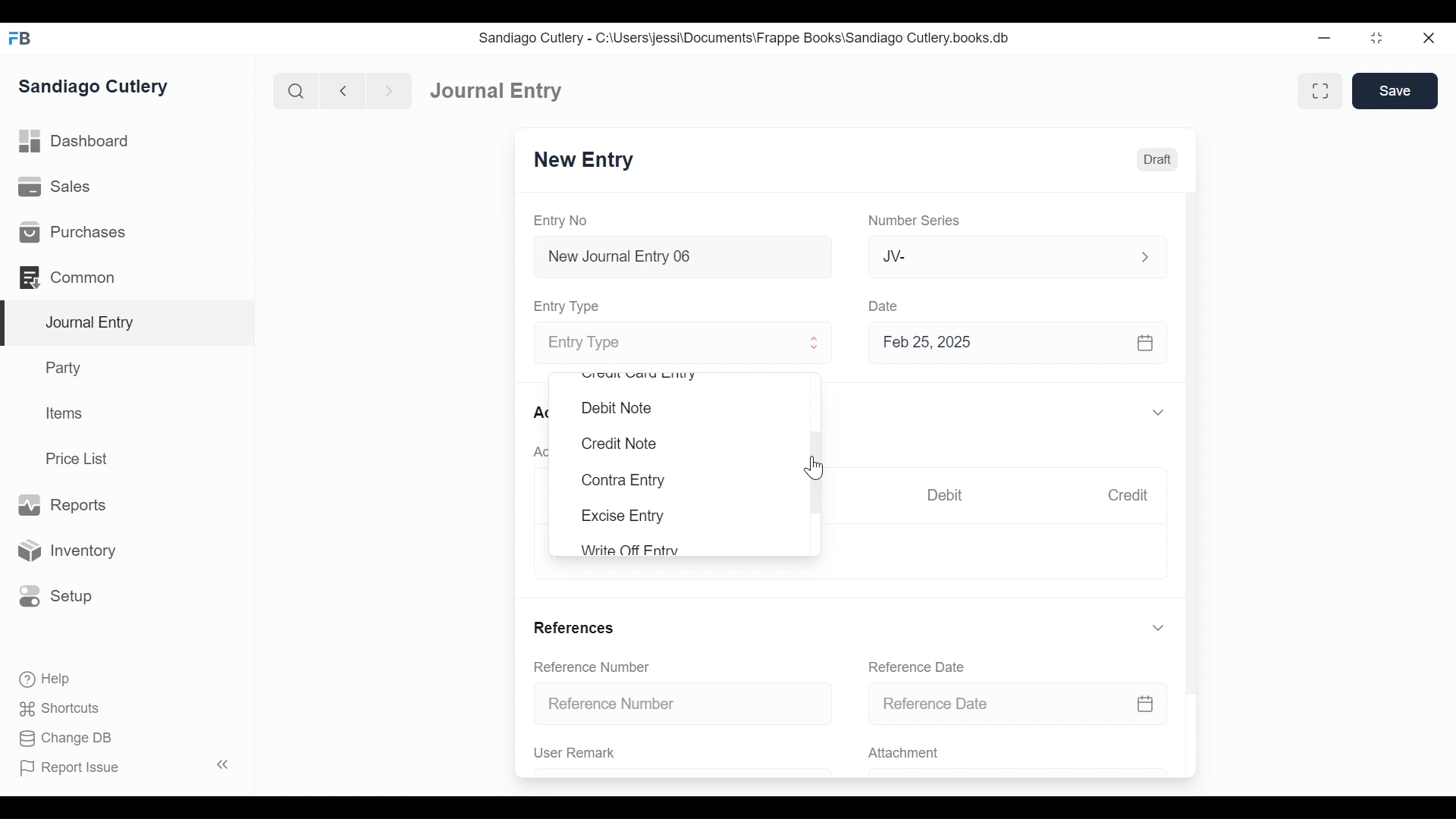  What do you see at coordinates (945, 495) in the screenshot?
I see `Debit` at bounding box center [945, 495].